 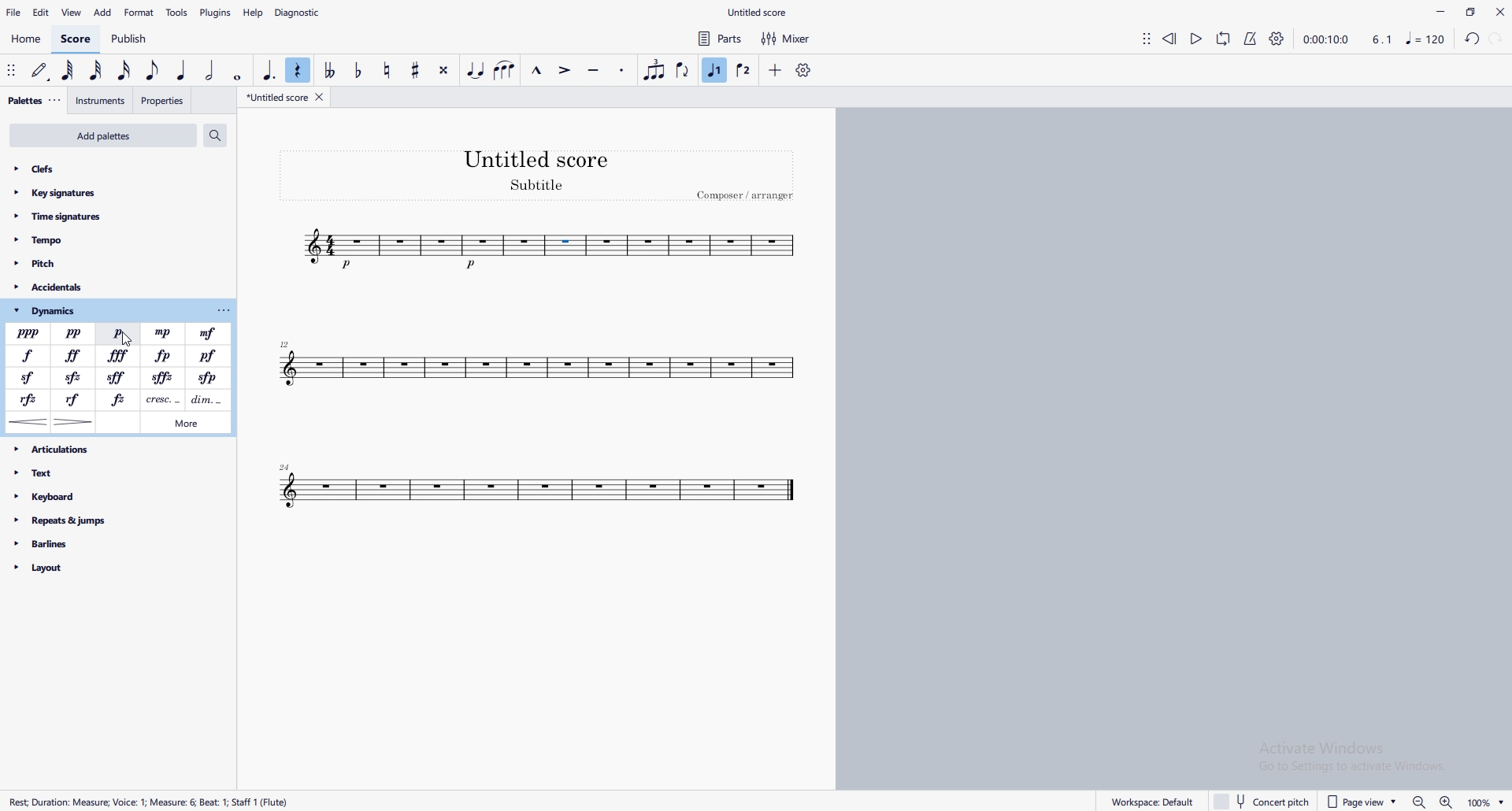 What do you see at coordinates (68, 71) in the screenshot?
I see `64th note` at bounding box center [68, 71].